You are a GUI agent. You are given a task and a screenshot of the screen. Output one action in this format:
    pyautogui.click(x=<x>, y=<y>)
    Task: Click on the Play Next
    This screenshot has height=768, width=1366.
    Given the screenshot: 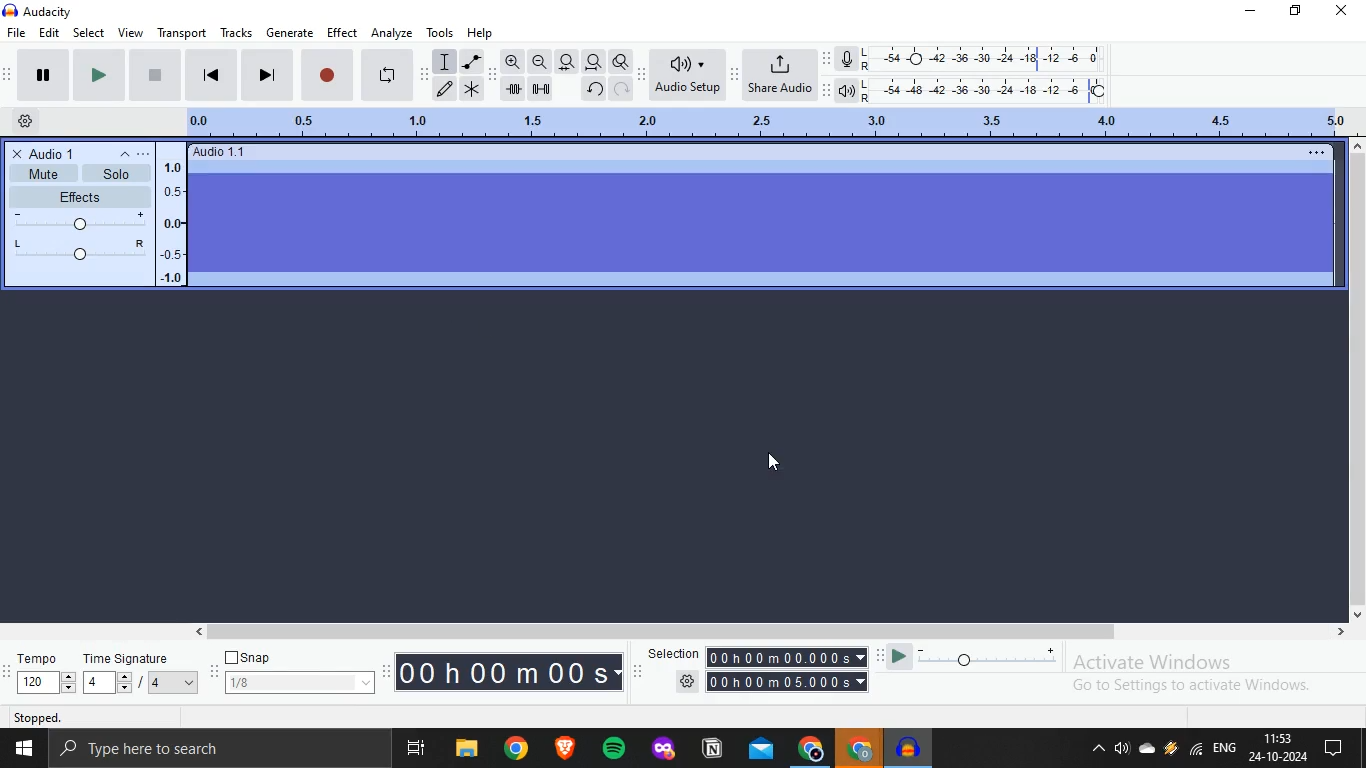 What is the action you would take?
    pyautogui.click(x=266, y=74)
    